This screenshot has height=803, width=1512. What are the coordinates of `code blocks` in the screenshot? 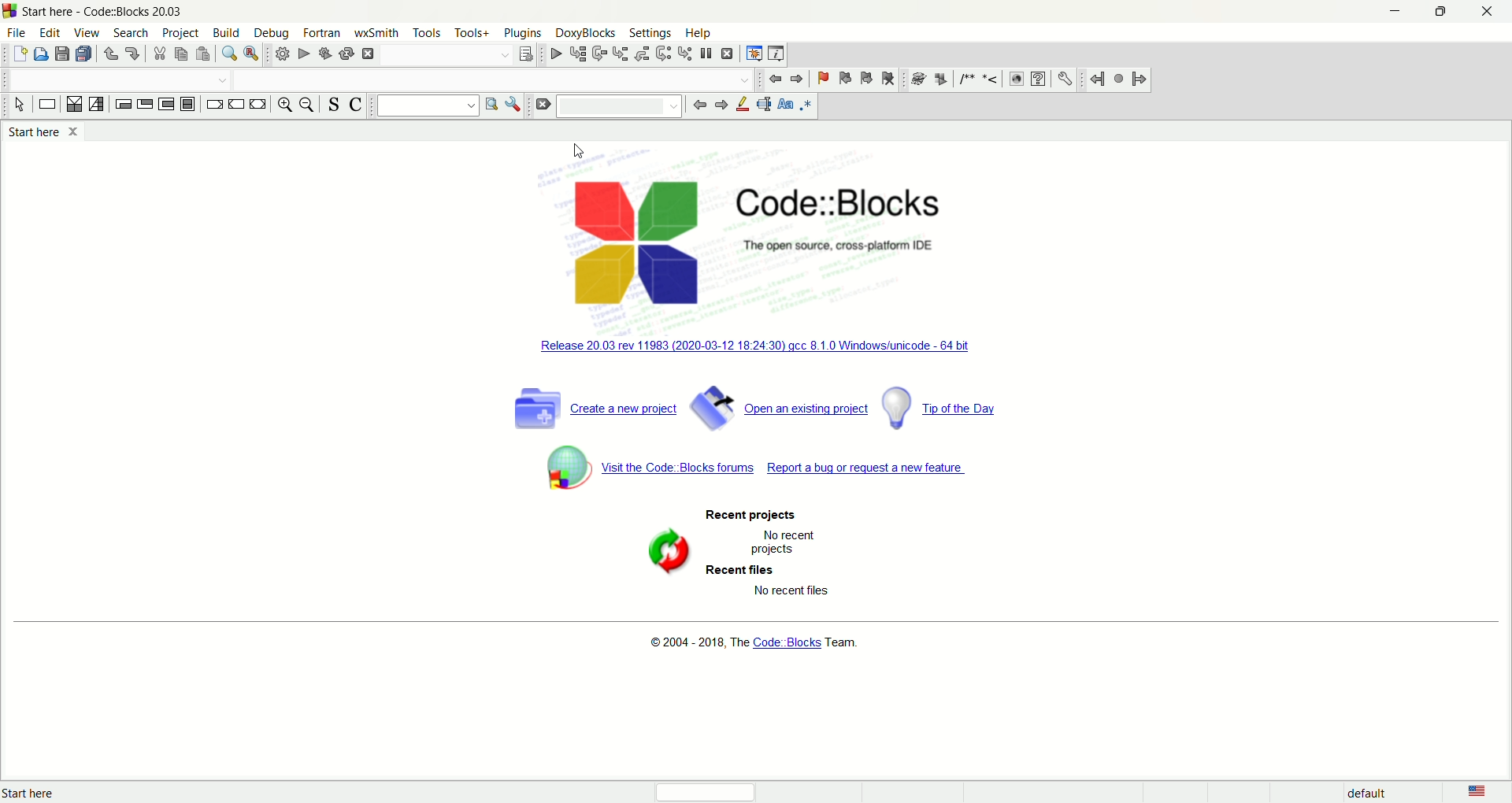 It's located at (787, 642).